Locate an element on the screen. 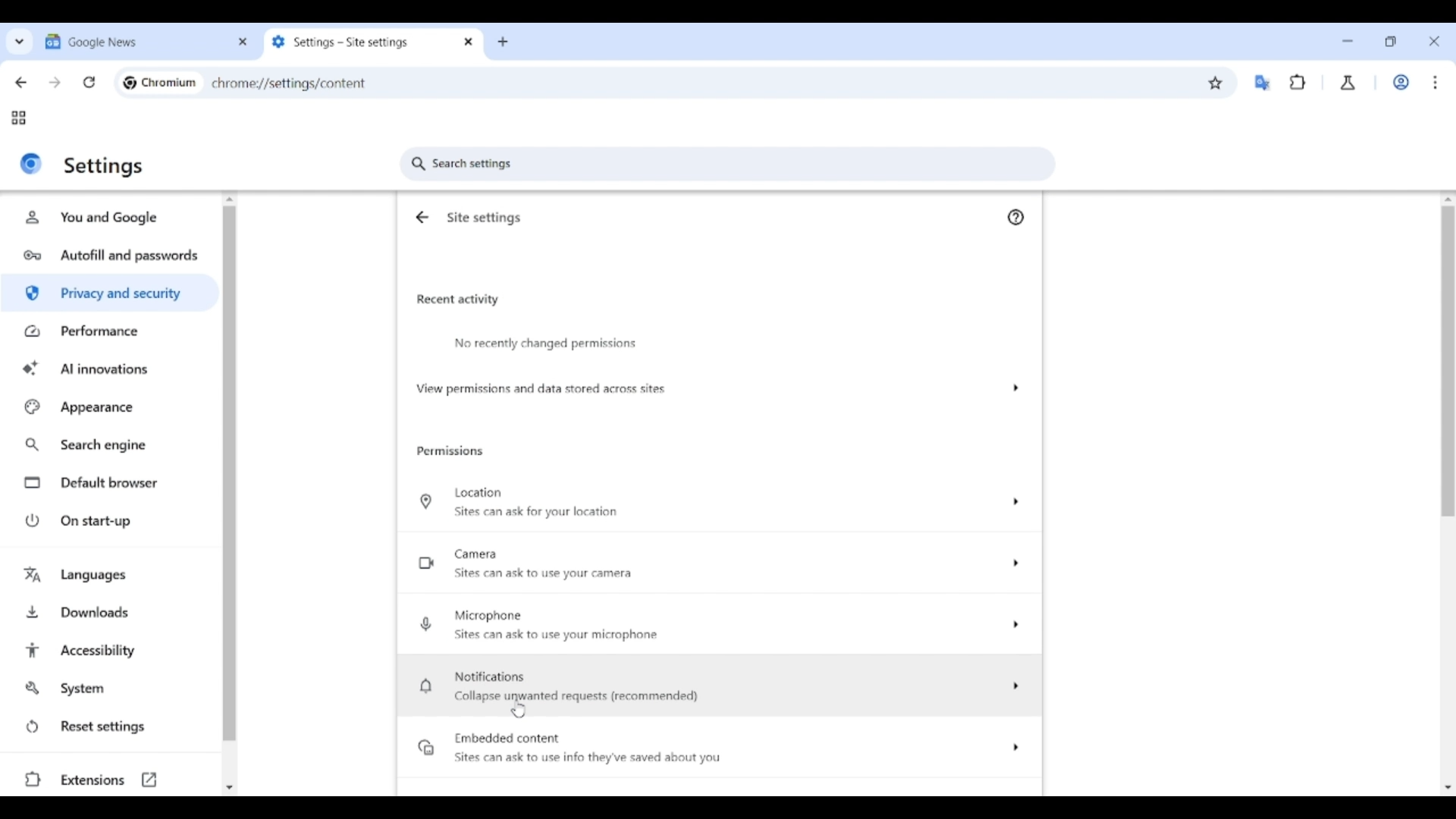  Chromium logo is located at coordinates (130, 83).